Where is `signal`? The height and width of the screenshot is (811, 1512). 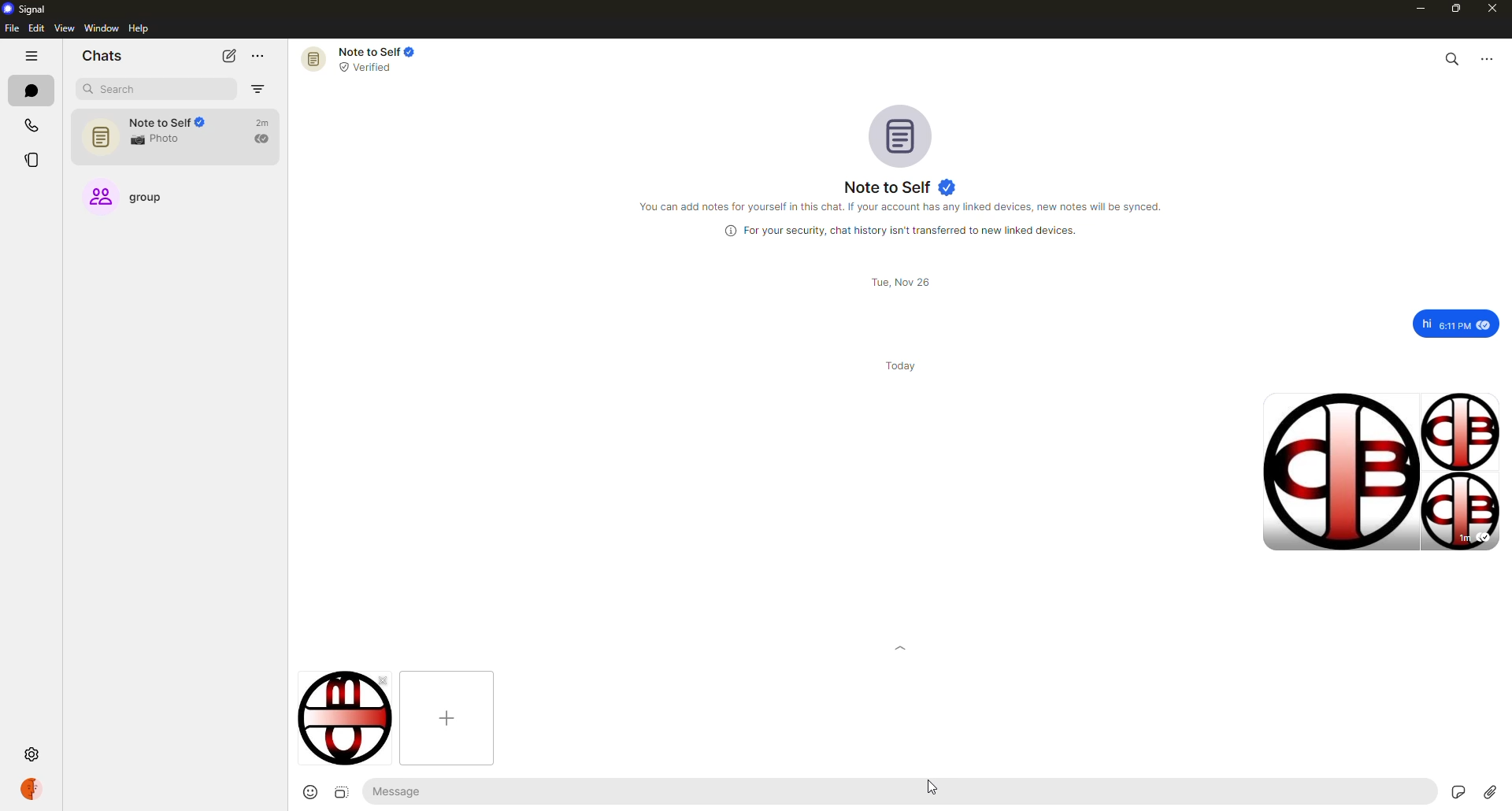 signal is located at coordinates (25, 10).